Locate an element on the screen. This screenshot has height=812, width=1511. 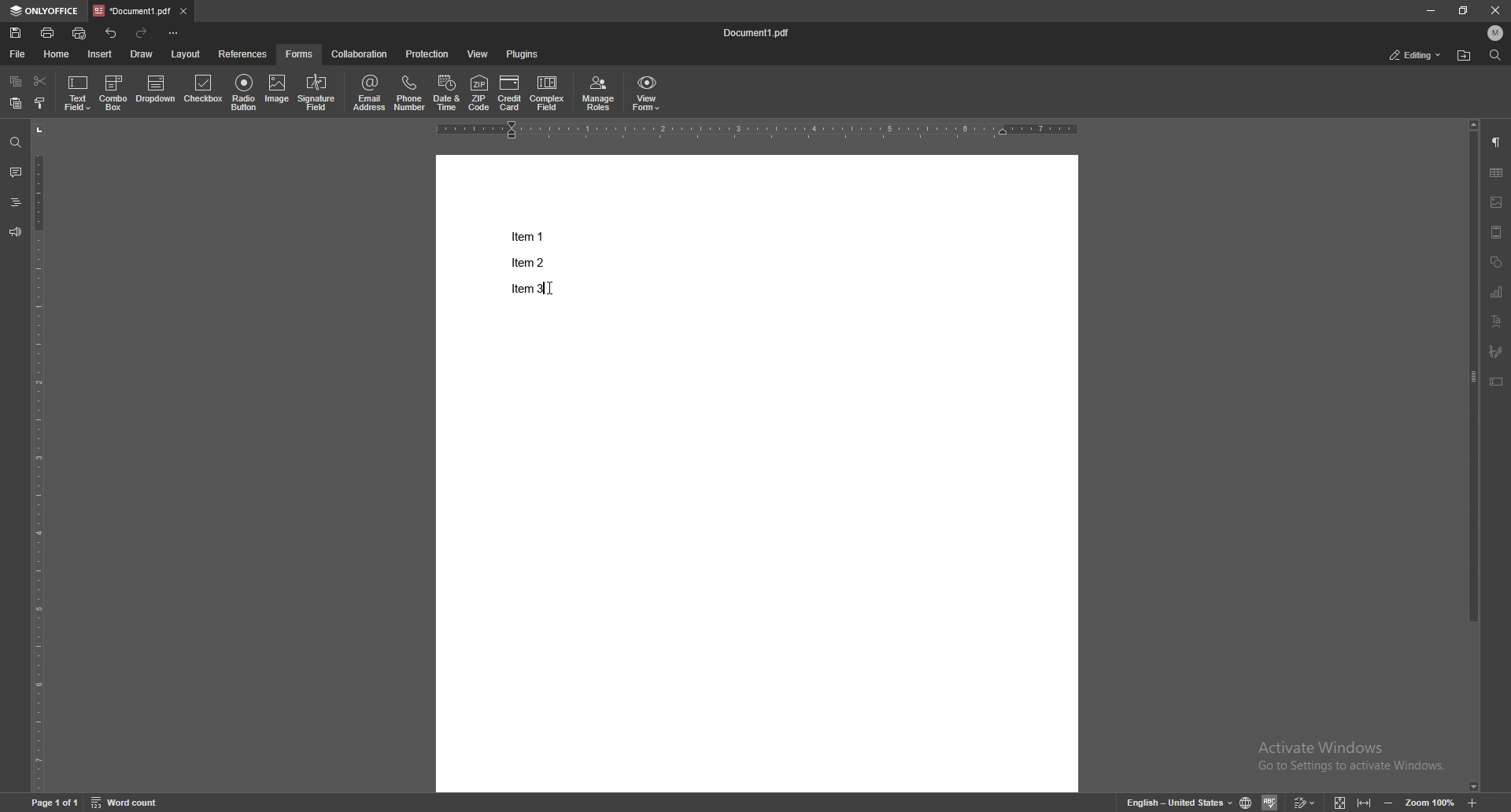
scroll bar is located at coordinates (1473, 456).